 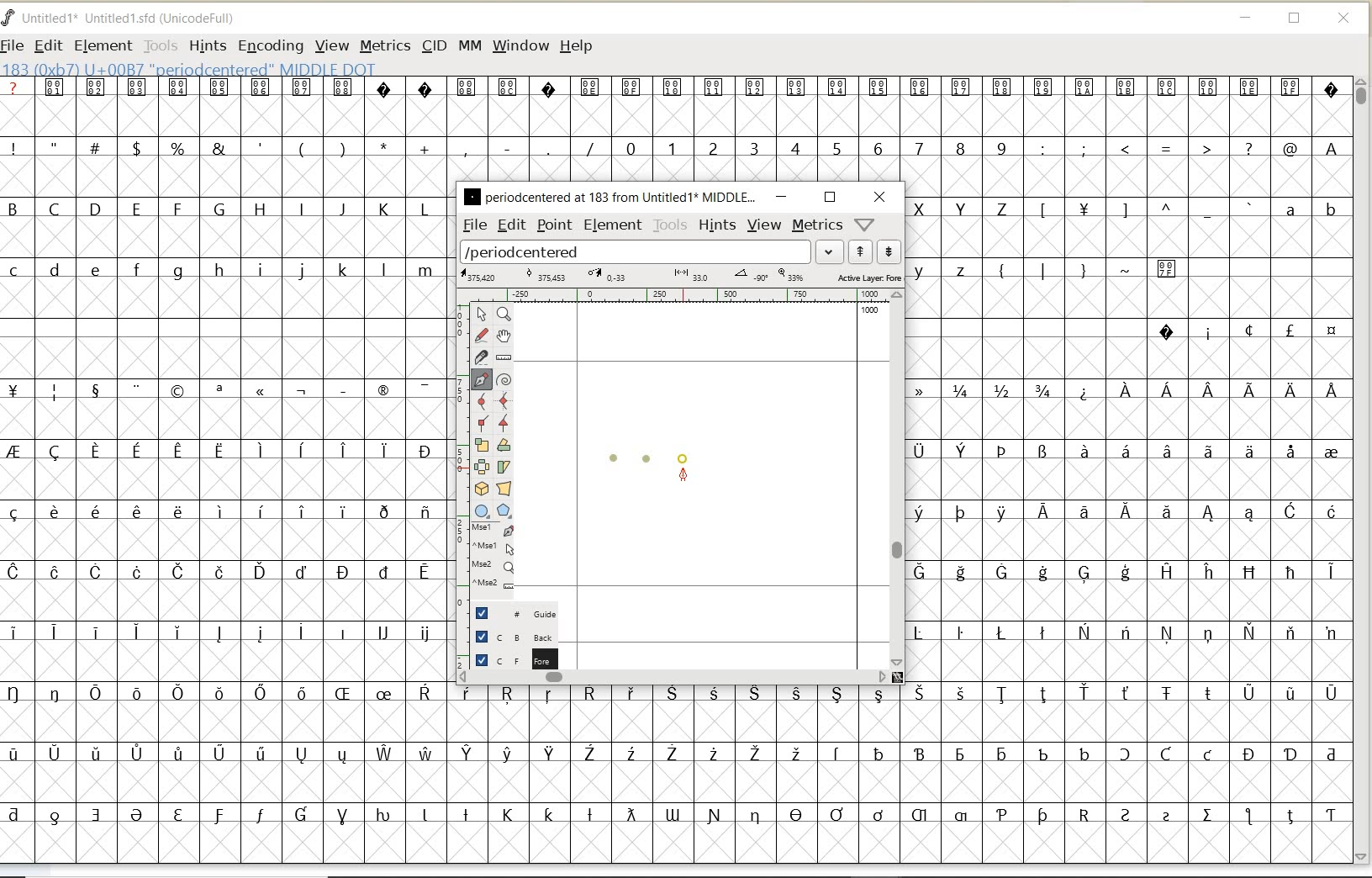 I want to click on foreground, so click(x=510, y=658).